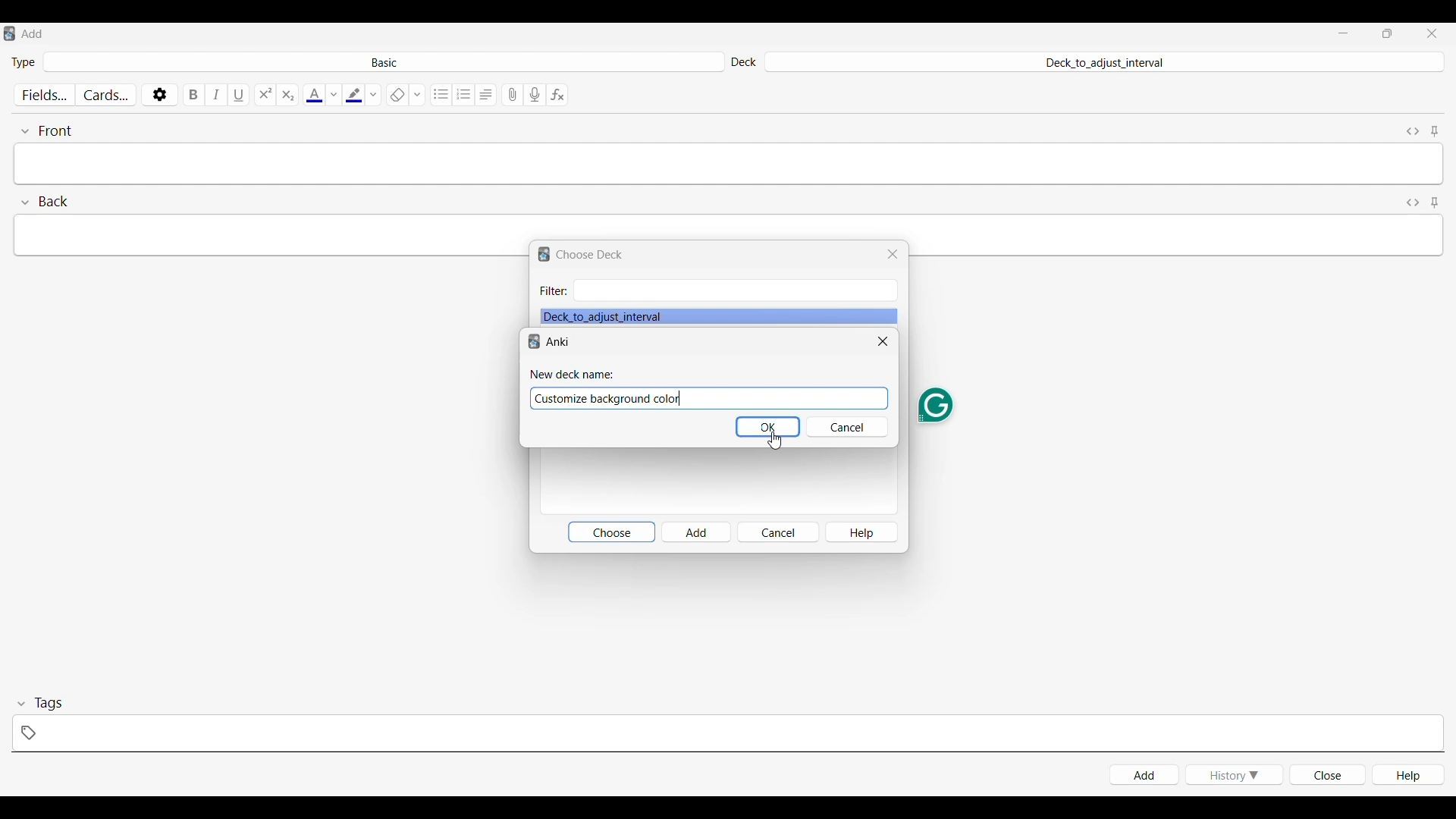 This screenshot has width=1456, height=819. What do you see at coordinates (464, 95) in the screenshot?
I see `Ordered list` at bounding box center [464, 95].